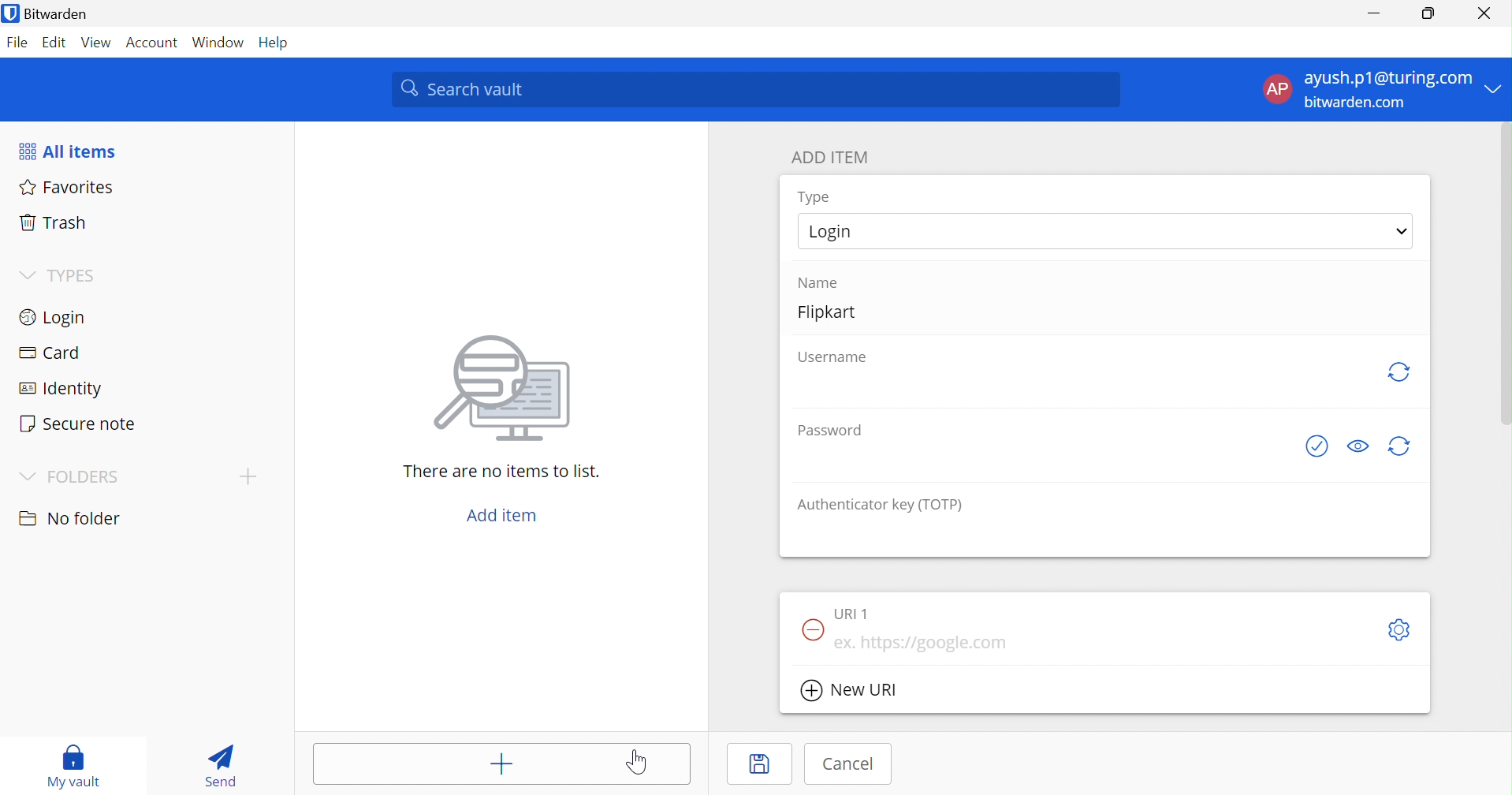  I want to click on Name, so click(818, 283).